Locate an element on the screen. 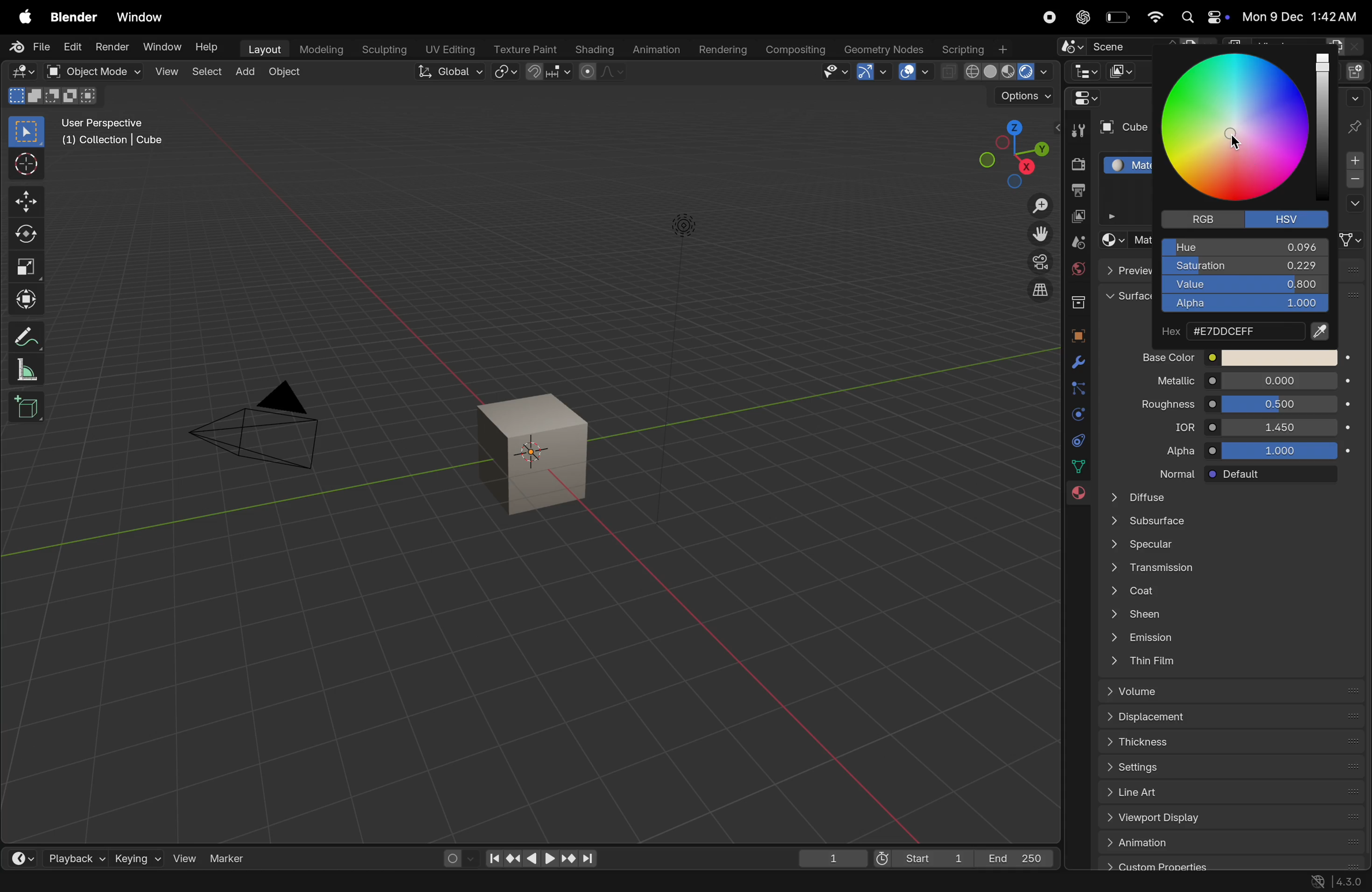  roughness is located at coordinates (1158, 406).